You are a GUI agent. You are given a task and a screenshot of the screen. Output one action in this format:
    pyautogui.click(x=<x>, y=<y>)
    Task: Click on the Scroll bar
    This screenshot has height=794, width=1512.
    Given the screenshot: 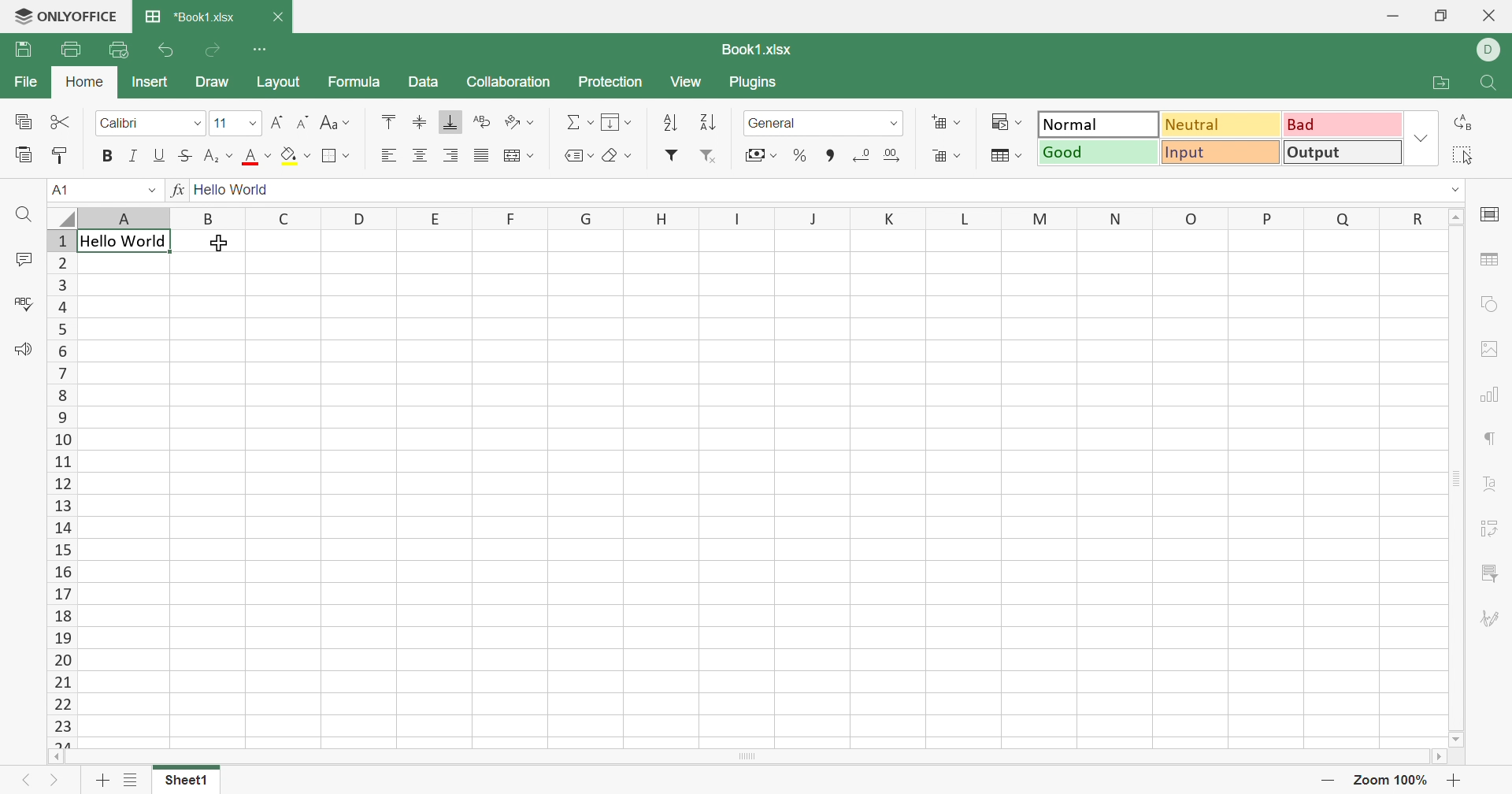 What is the action you would take?
    pyautogui.click(x=1458, y=478)
    